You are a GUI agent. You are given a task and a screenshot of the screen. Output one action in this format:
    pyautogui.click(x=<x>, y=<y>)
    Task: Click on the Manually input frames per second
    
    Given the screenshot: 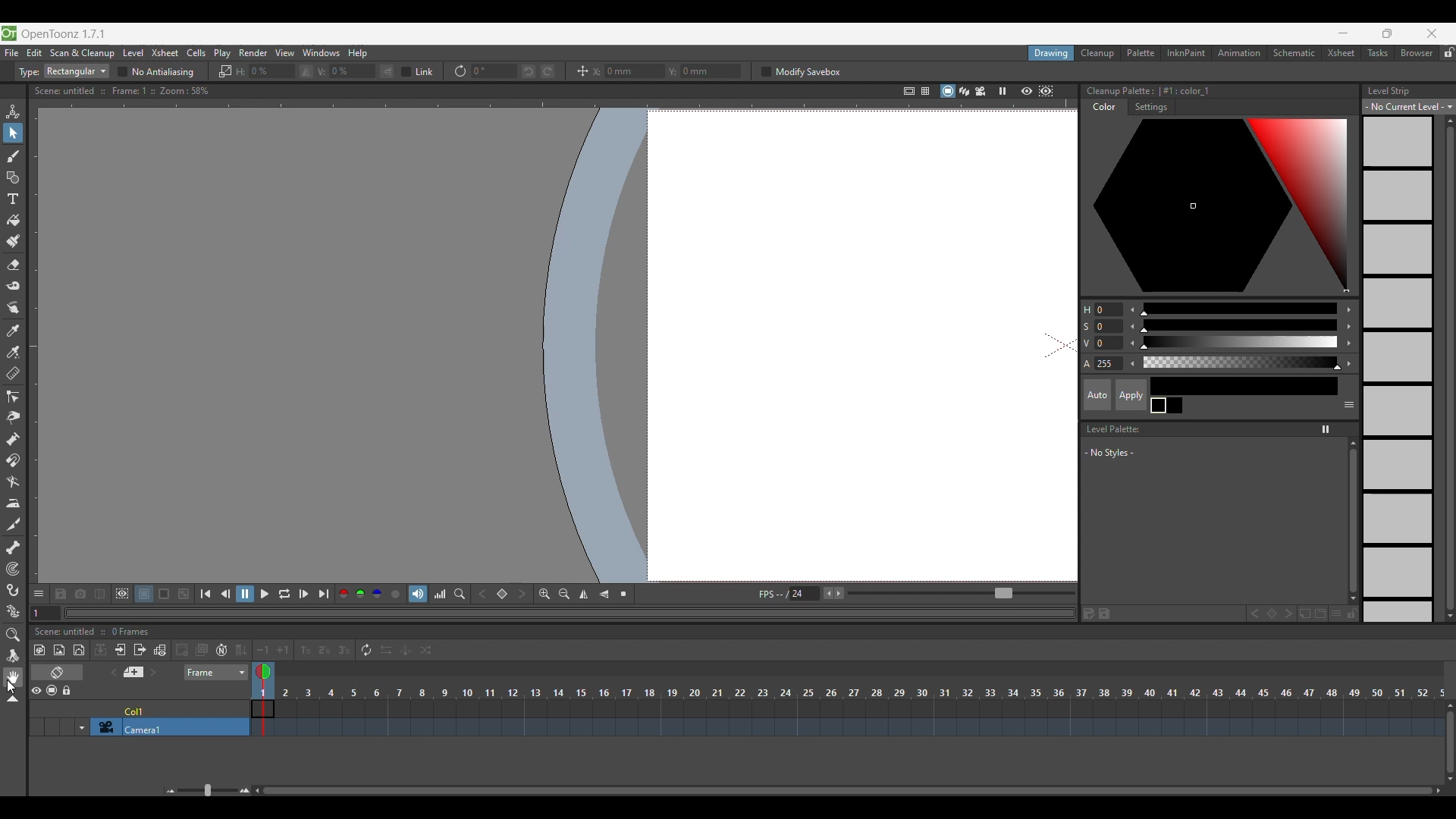 What is the action you would take?
    pyautogui.click(x=789, y=594)
    